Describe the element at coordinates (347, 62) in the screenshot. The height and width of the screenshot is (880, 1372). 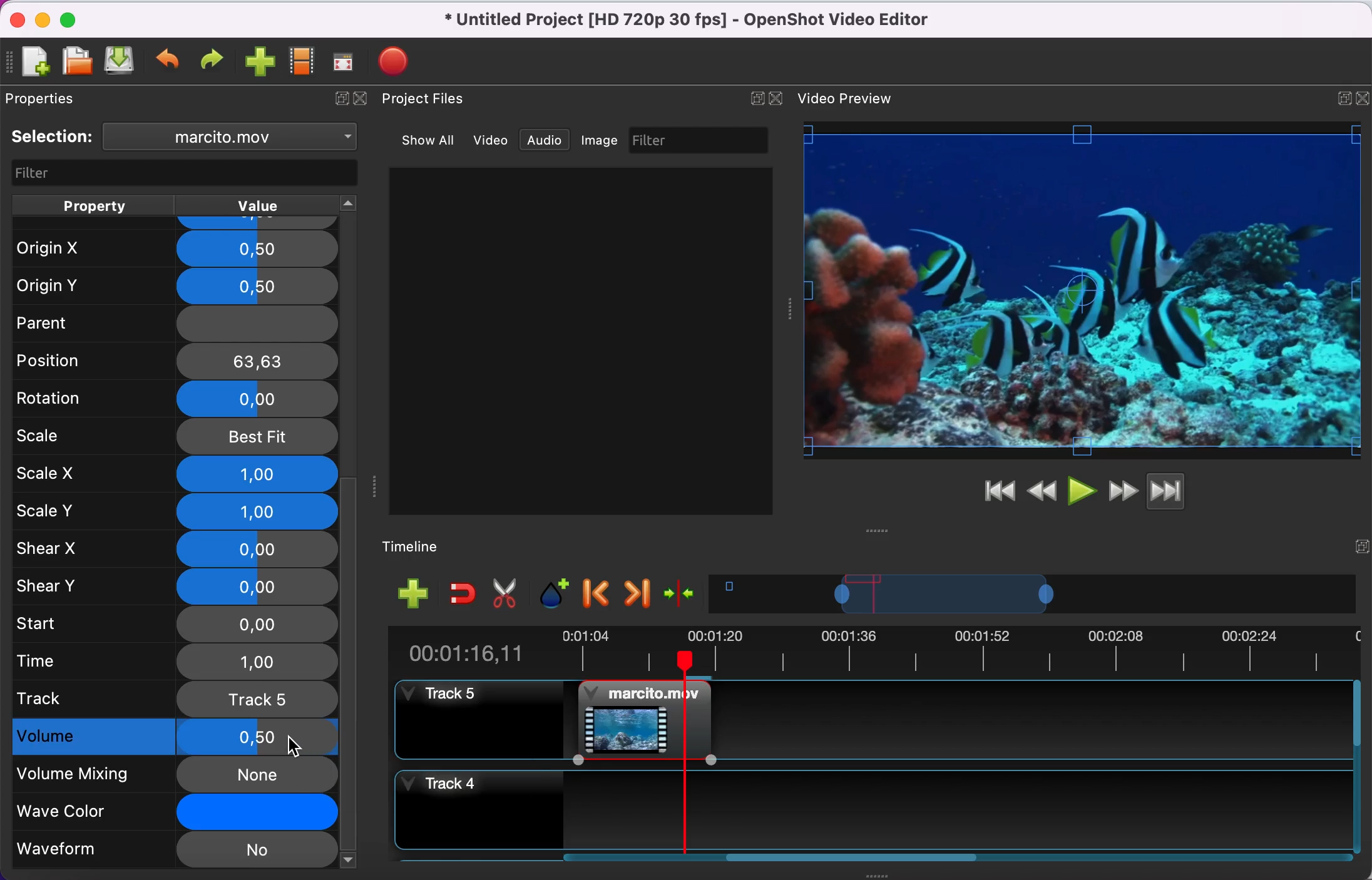
I see `full screen` at that location.